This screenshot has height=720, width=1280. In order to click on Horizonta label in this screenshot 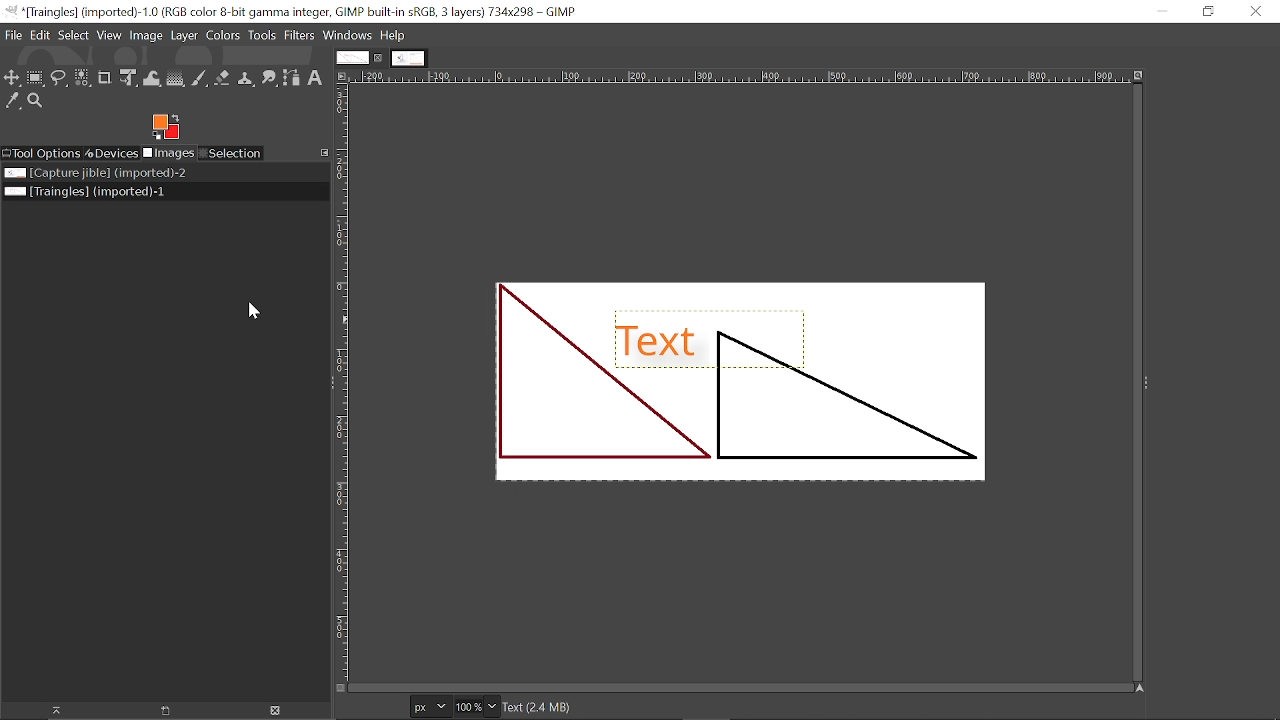, I will do `click(740, 77)`.